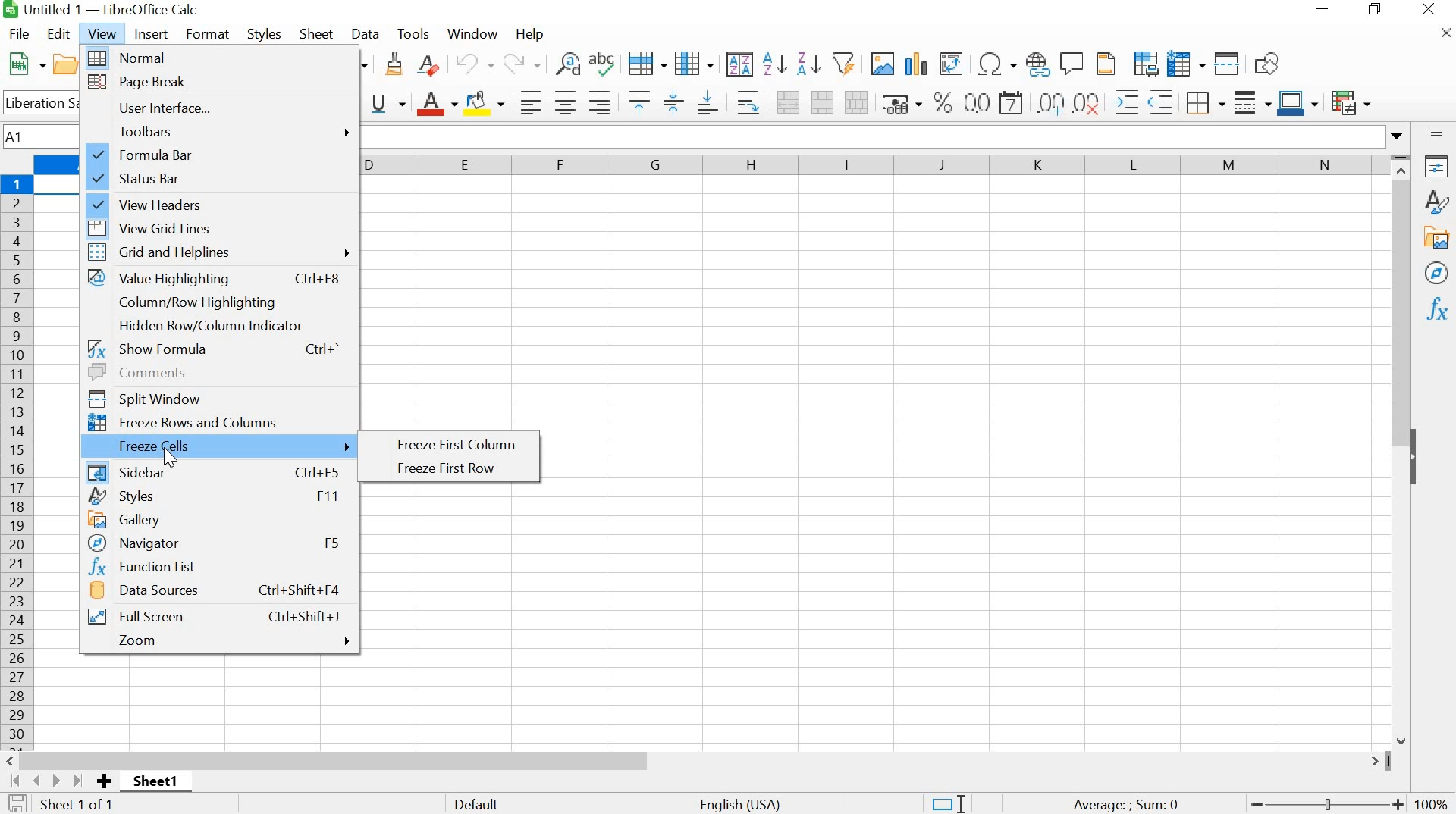  Describe the element at coordinates (367, 34) in the screenshot. I see `DATA` at that location.